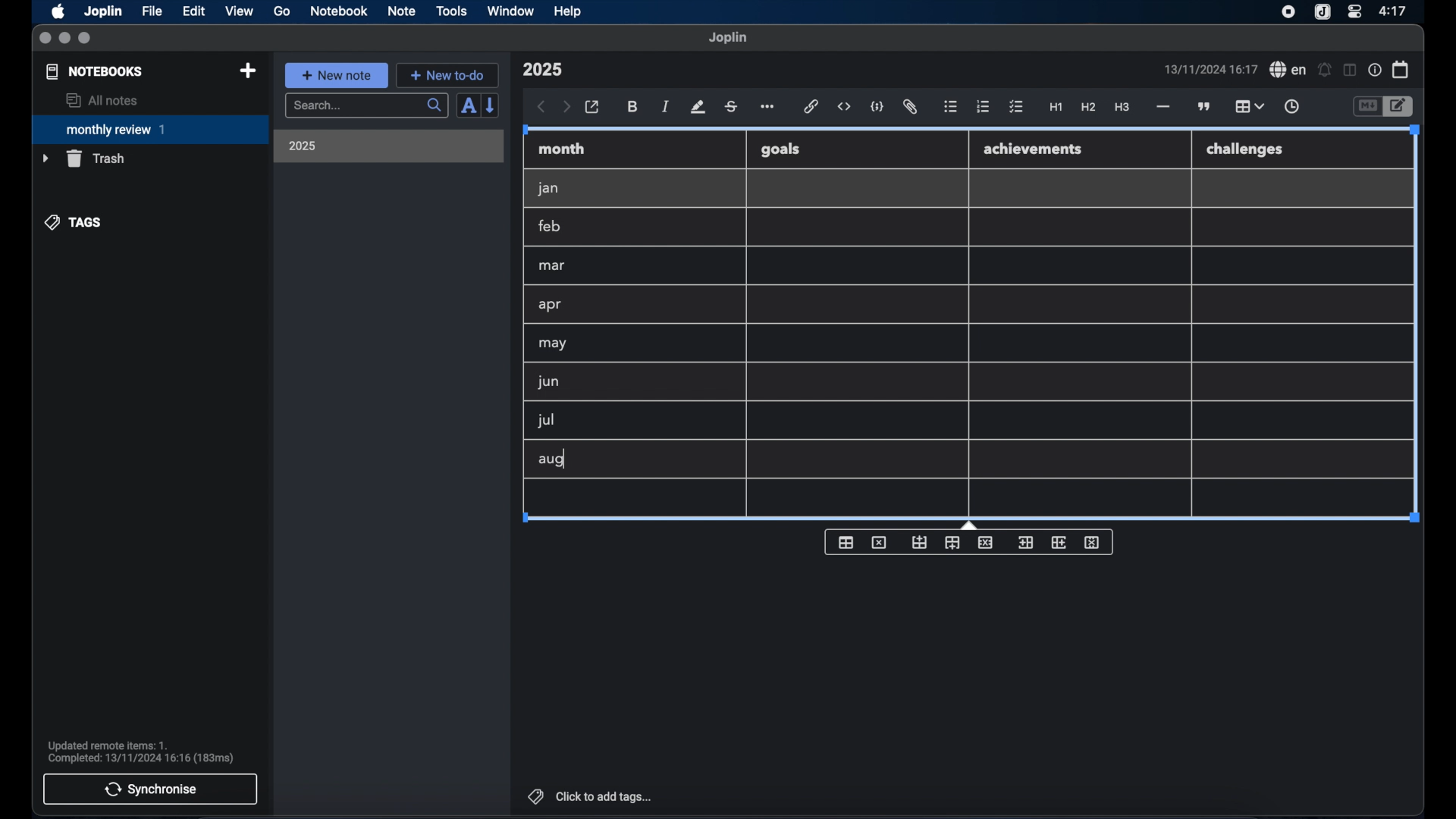 The width and height of the screenshot is (1456, 819). Describe the element at coordinates (920, 543) in the screenshot. I see `insert row before` at that location.